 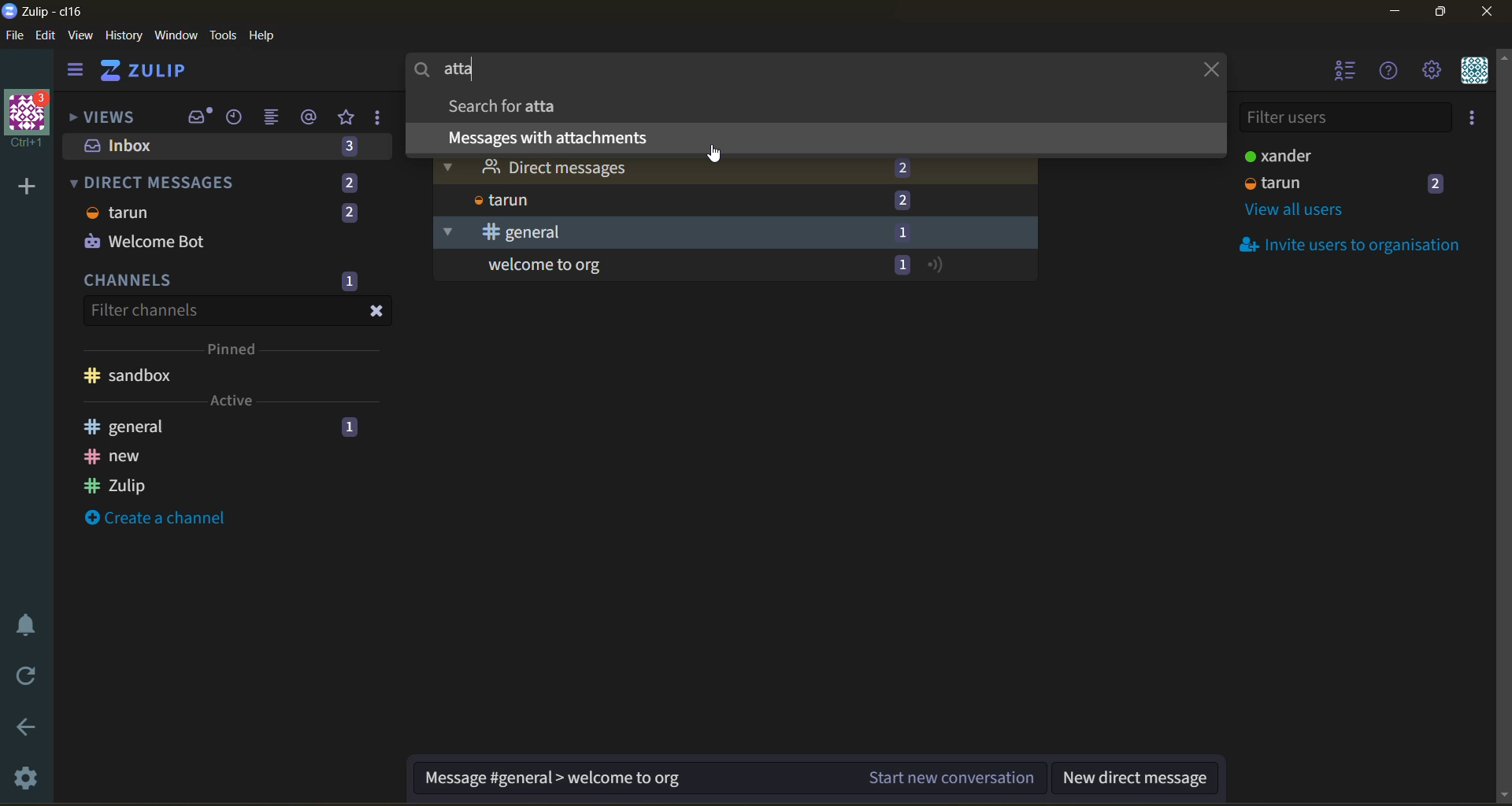 What do you see at coordinates (1134, 779) in the screenshot?
I see `new direct message` at bounding box center [1134, 779].